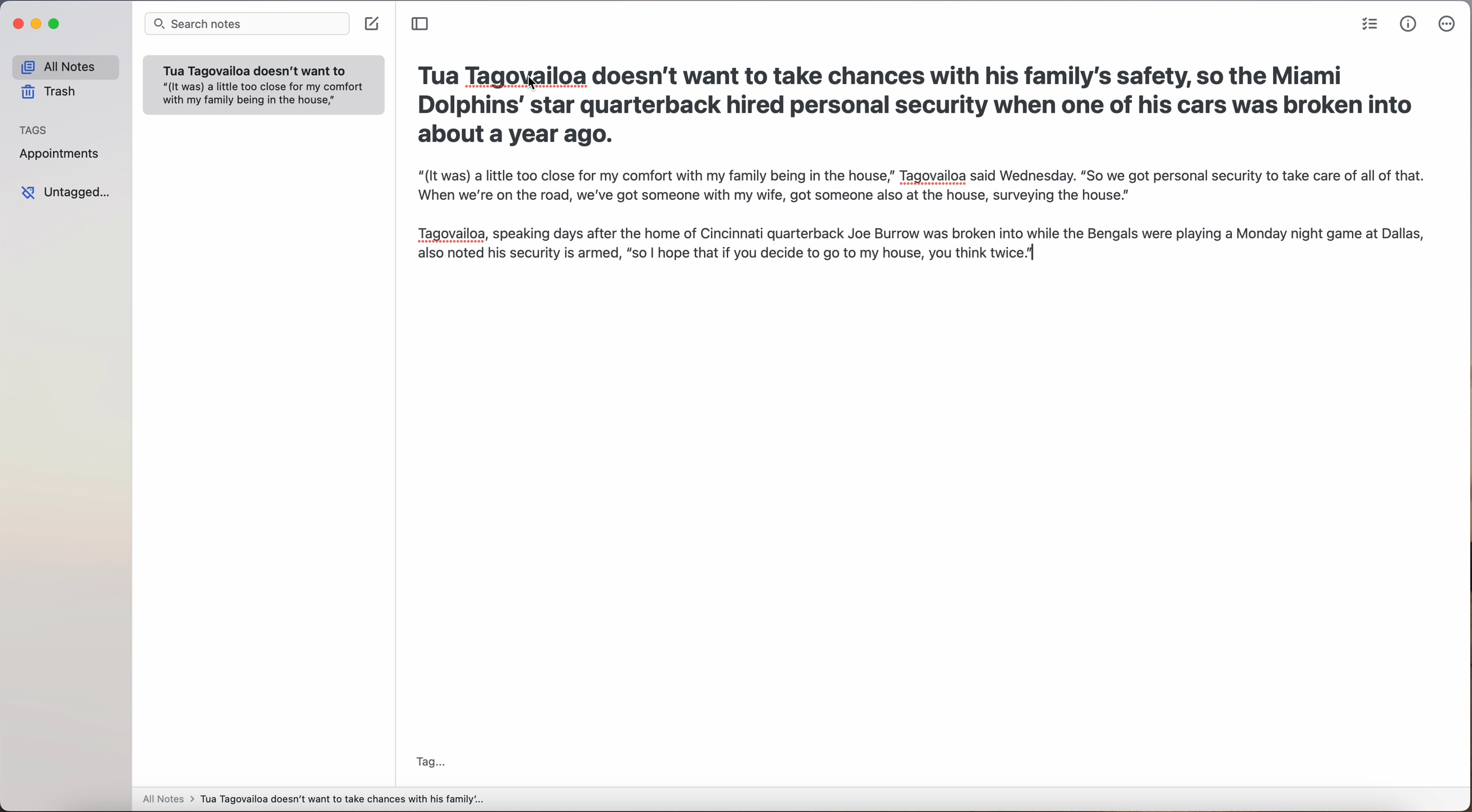 The image size is (1472, 812). I want to click on toggle sidebar, so click(424, 25).